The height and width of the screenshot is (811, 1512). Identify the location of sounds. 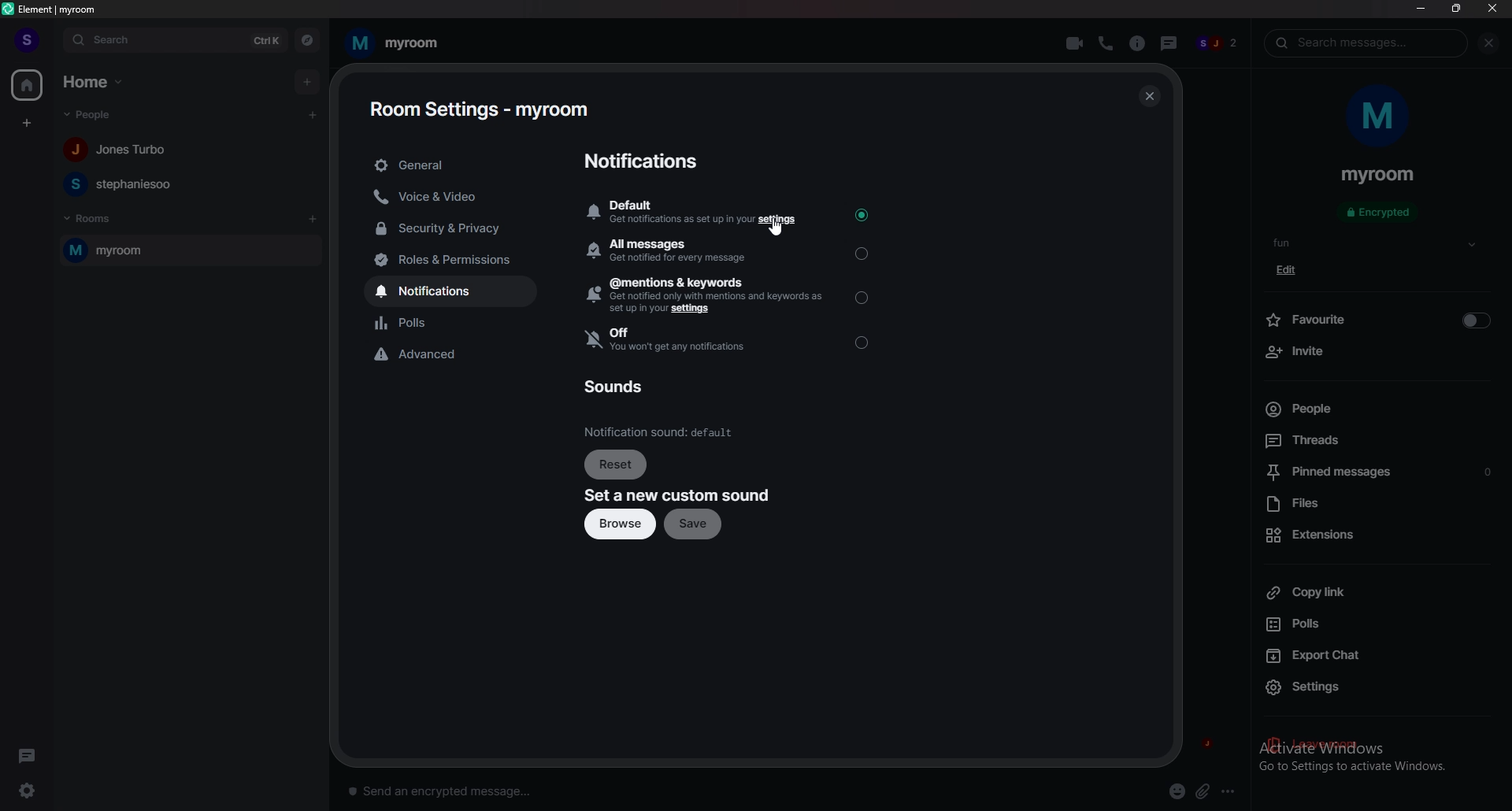
(617, 387).